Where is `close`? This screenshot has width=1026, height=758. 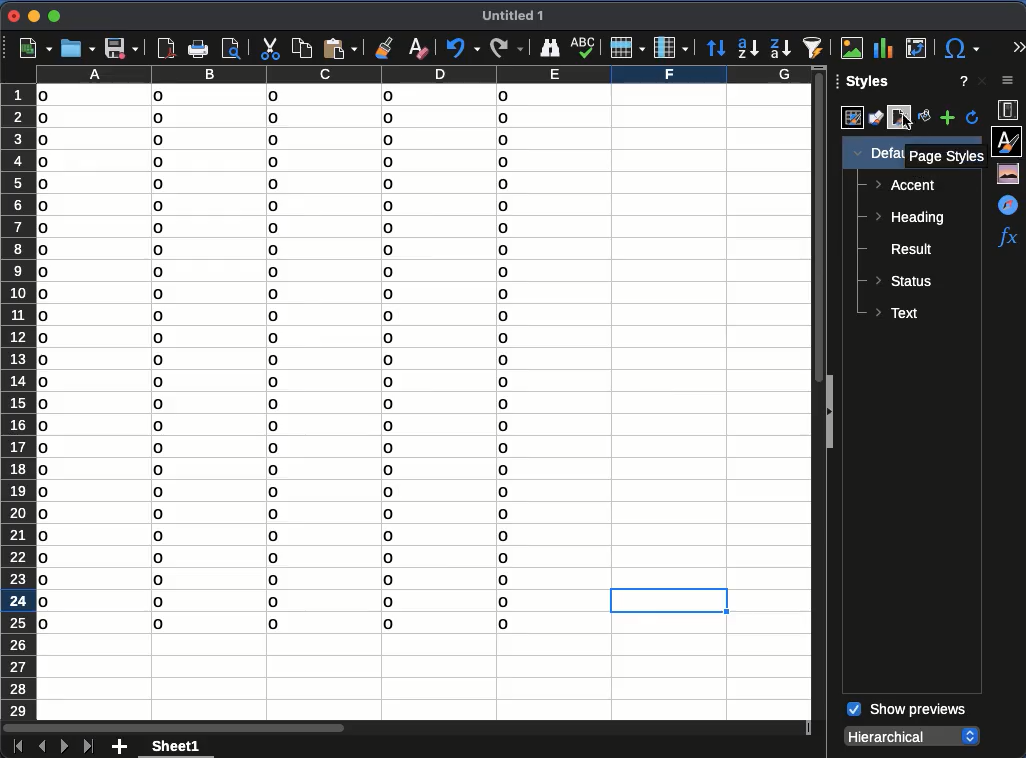 close is located at coordinates (13, 16).